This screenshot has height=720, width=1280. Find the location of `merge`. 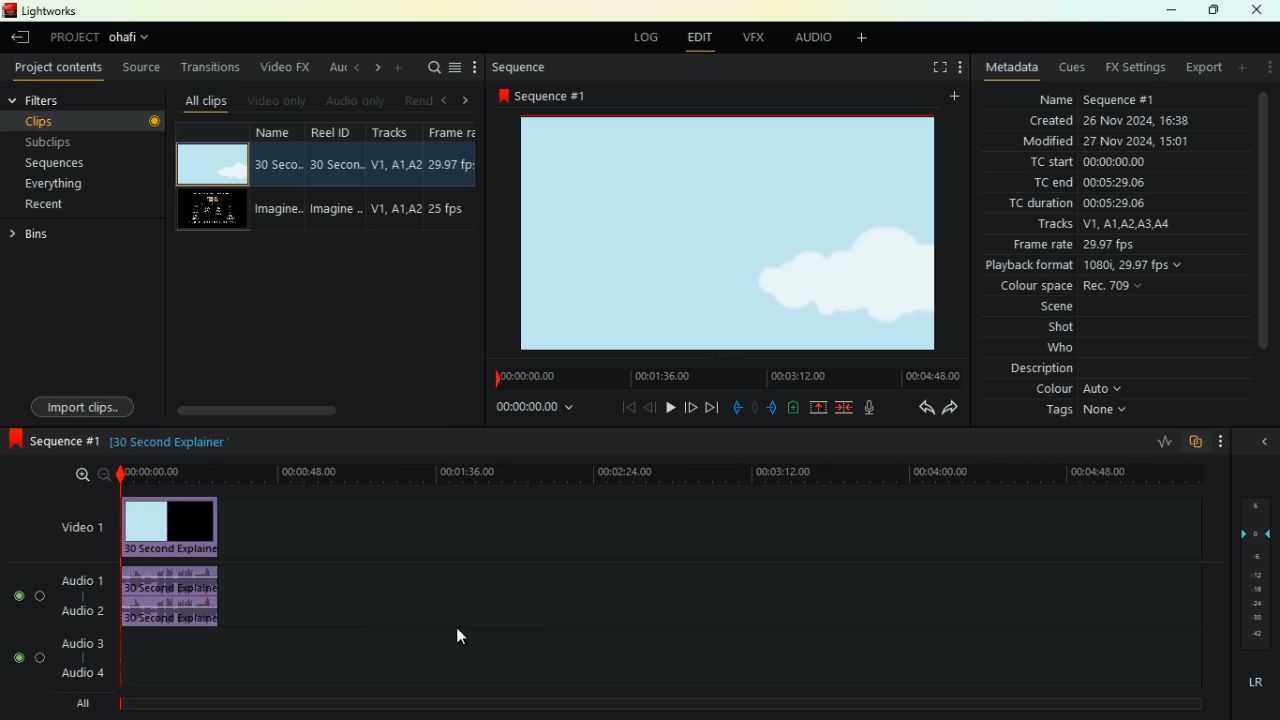

merge is located at coordinates (843, 407).